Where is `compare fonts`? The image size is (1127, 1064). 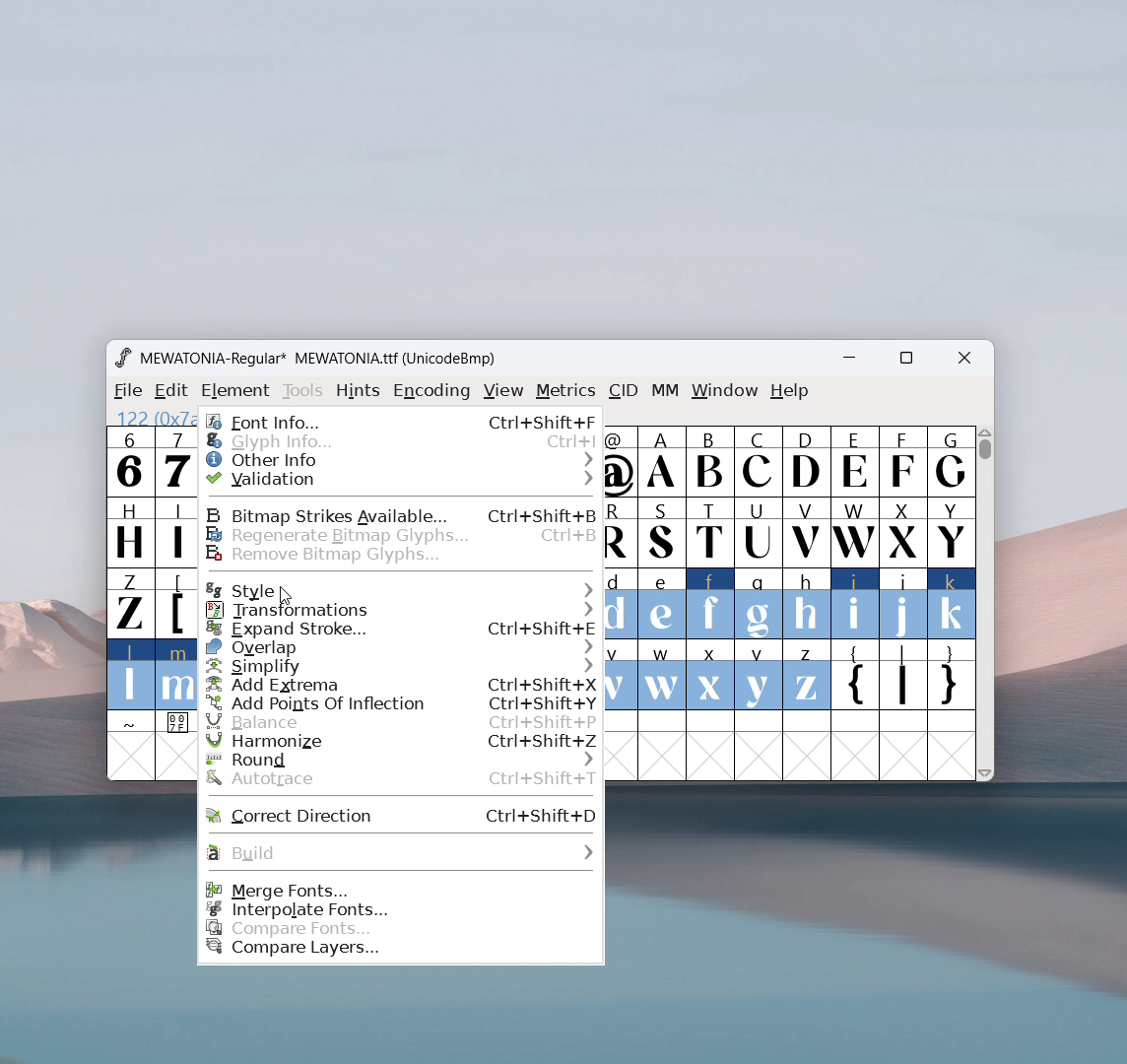 compare fonts is located at coordinates (401, 929).